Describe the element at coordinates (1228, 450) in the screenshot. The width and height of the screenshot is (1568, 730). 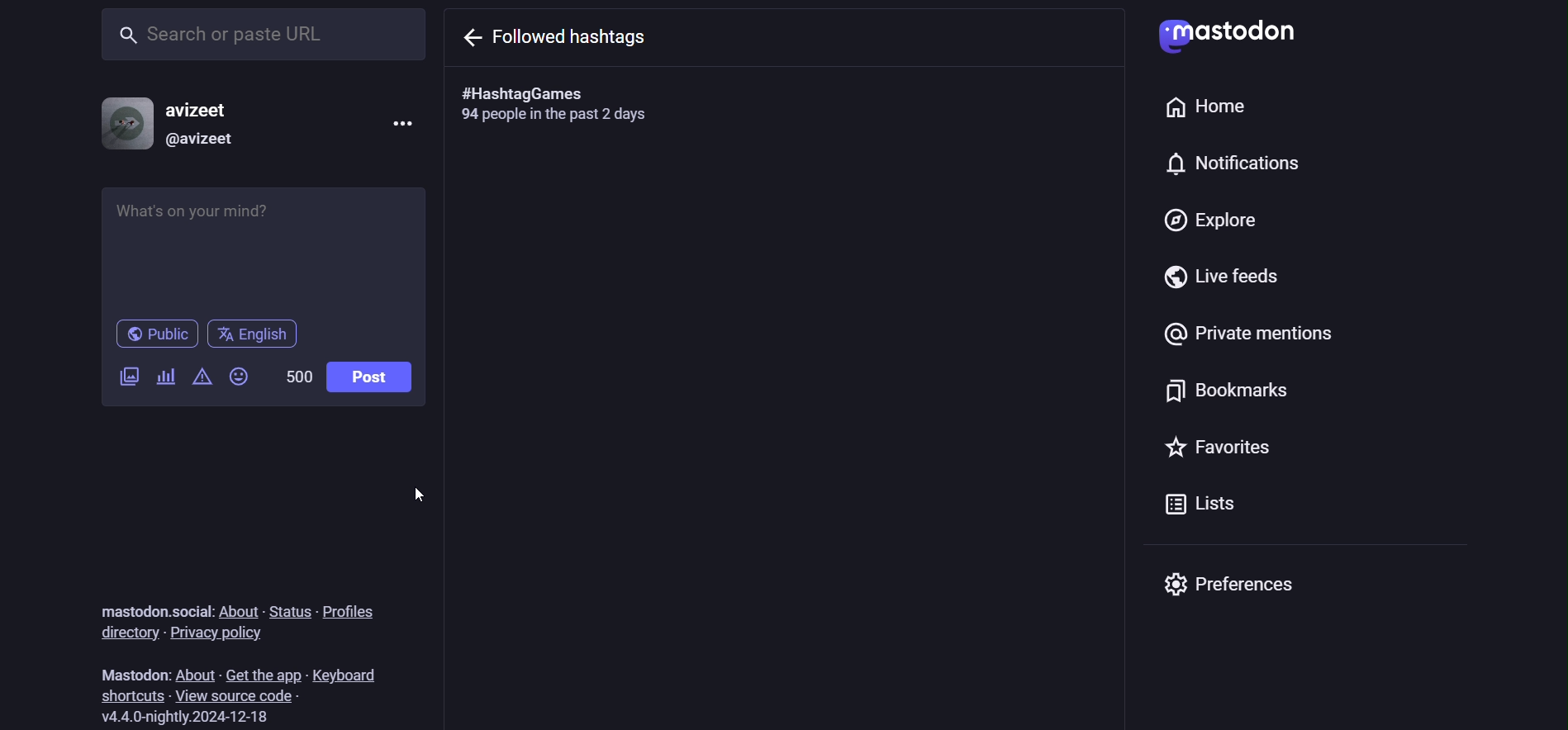
I see `favorites` at that location.